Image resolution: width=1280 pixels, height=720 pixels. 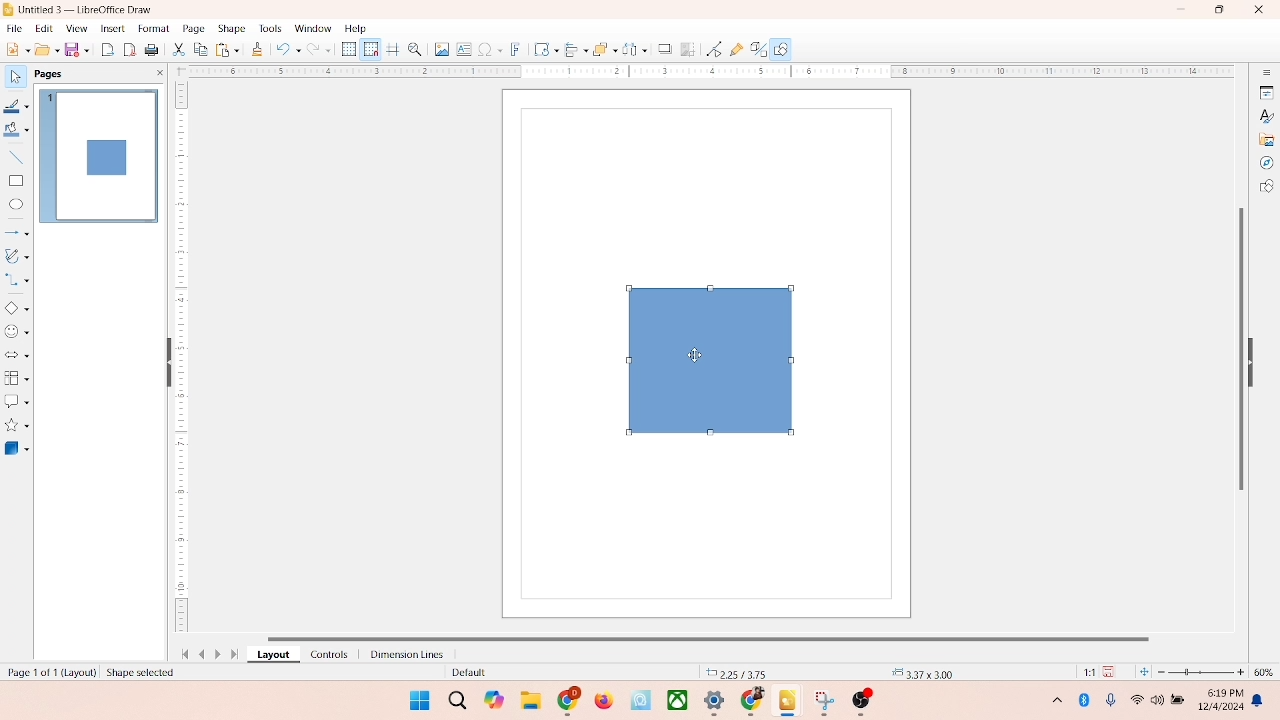 What do you see at coordinates (288, 51) in the screenshot?
I see `undo` at bounding box center [288, 51].